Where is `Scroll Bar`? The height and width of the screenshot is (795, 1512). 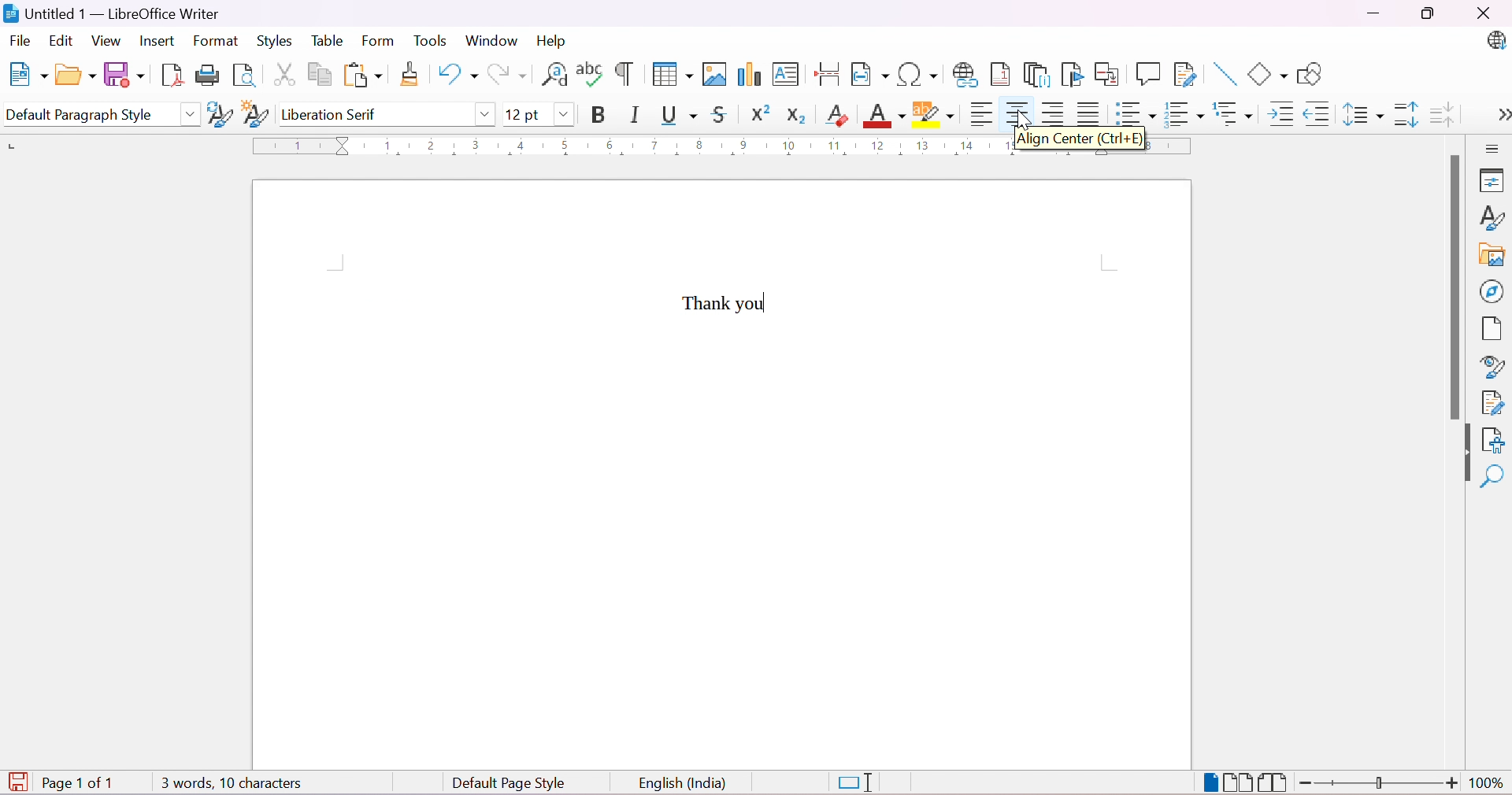 Scroll Bar is located at coordinates (1452, 287).